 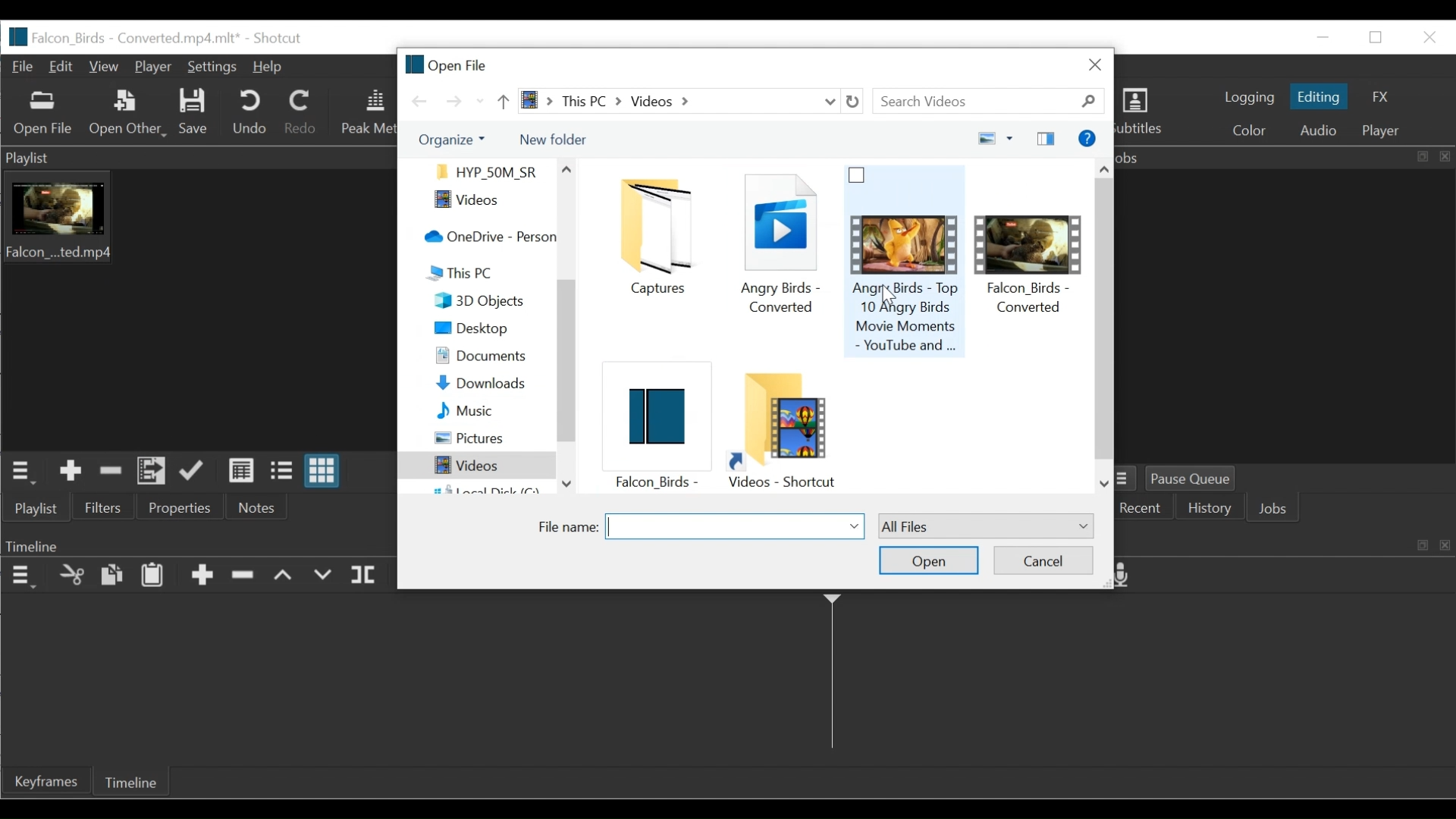 What do you see at coordinates (1277, 510) in the screenshot?
I see `Jobs` at bounding box center [1277, 510].